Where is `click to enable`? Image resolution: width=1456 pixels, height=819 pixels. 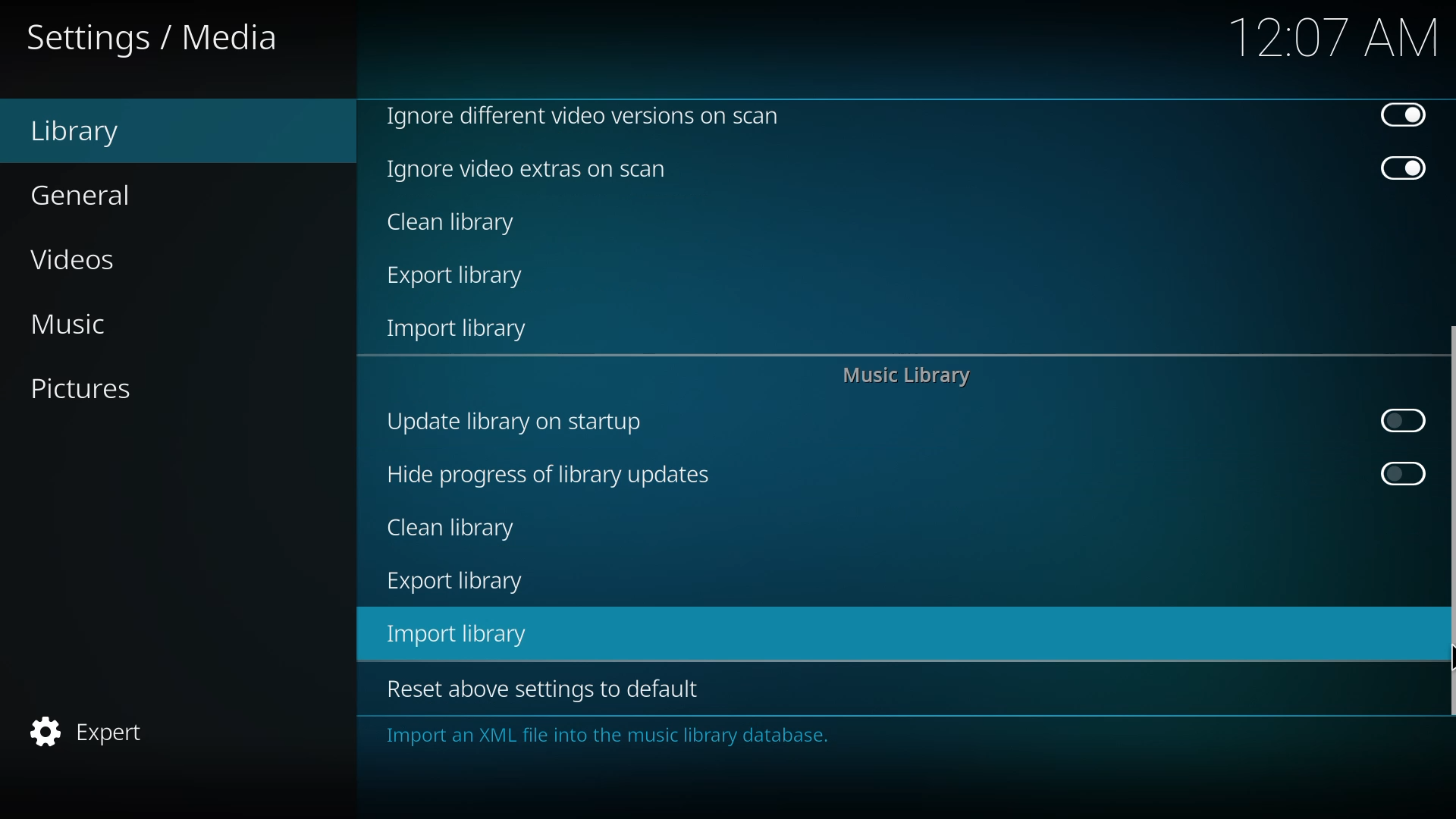
click to enable is located at coordinates (1398, 421).